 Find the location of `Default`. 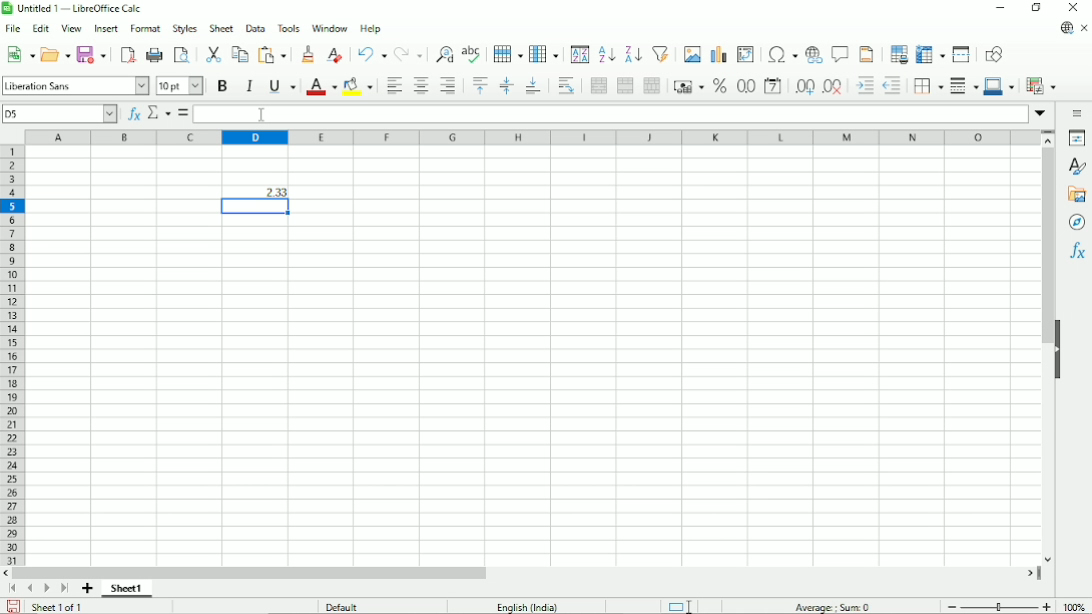

Default is located at coordinates (340, 606).